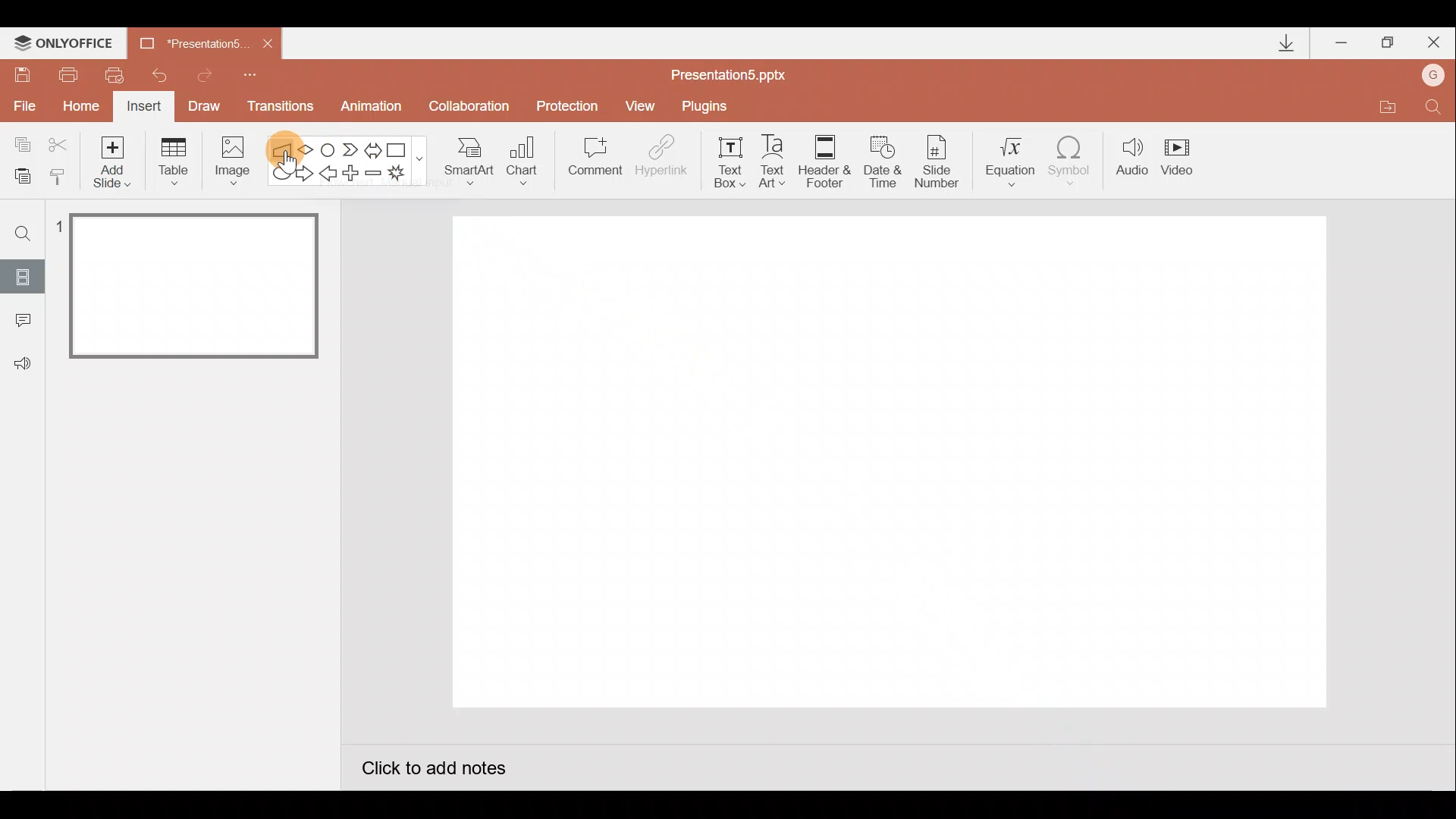  What do you see at coordinates (725, 160) in the screenshot?
I see `Text box` at bounding box center [725, 160].